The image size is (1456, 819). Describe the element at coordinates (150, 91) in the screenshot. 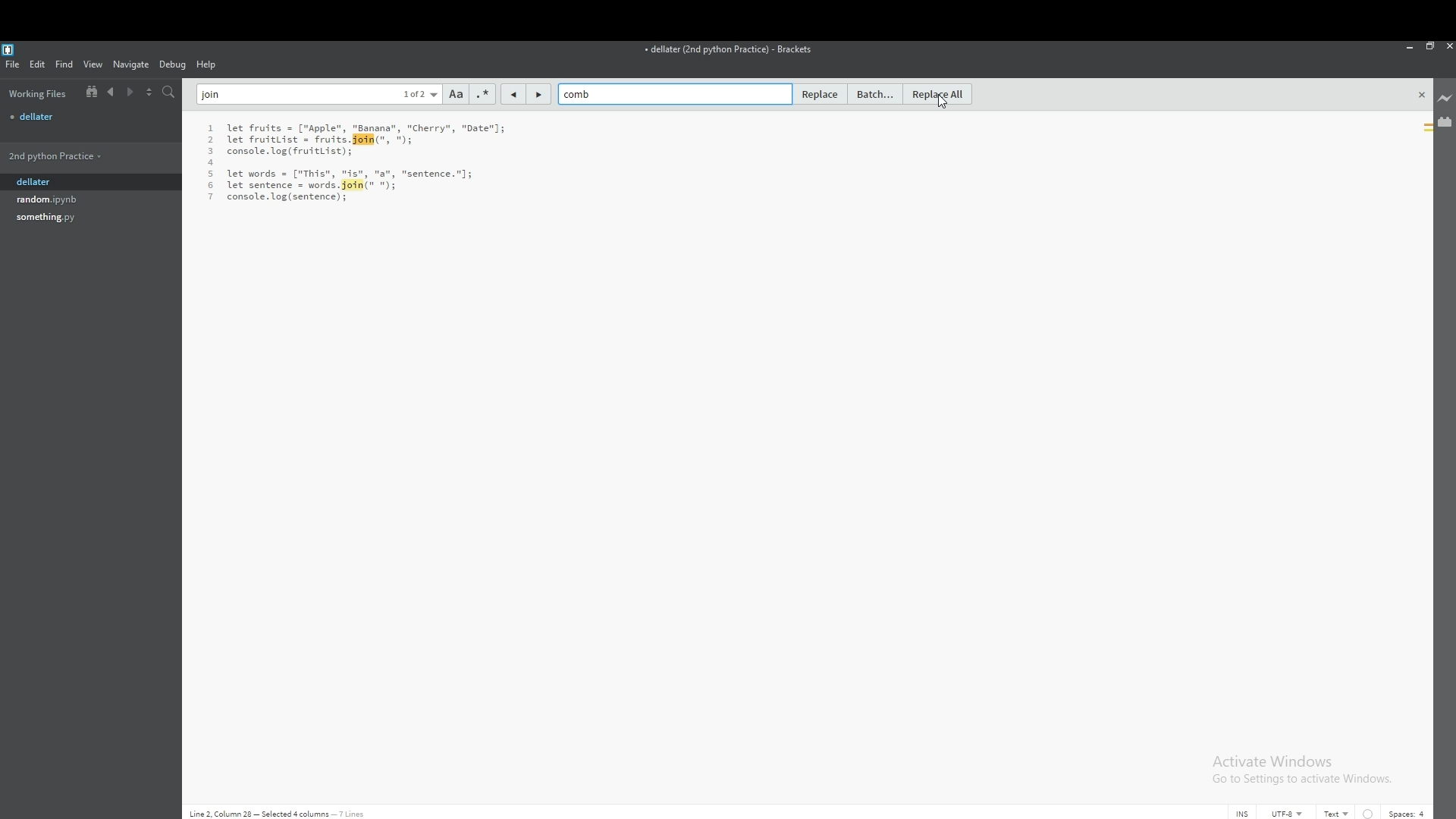

I see `split view` at that location.